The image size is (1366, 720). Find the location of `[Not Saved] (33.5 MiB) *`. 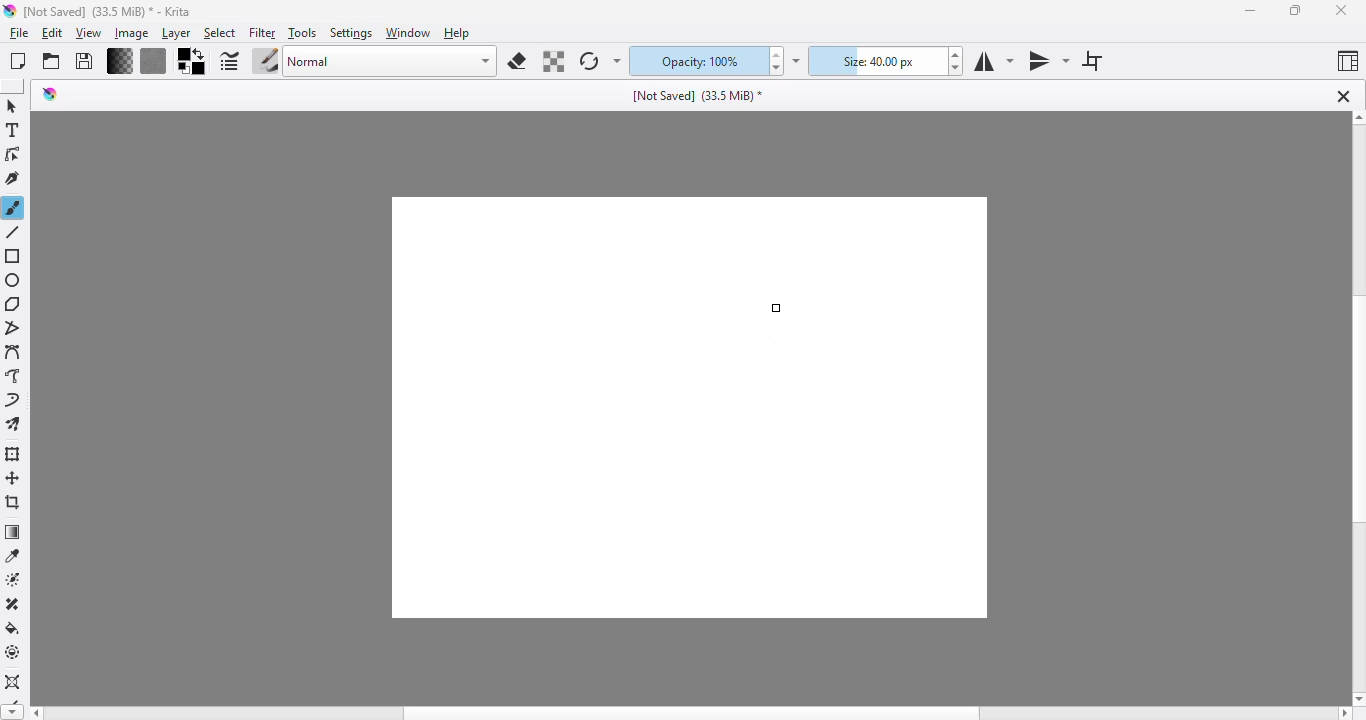

[Not Saved] (33.5 MiB) * is located at coordinates (698, 94).